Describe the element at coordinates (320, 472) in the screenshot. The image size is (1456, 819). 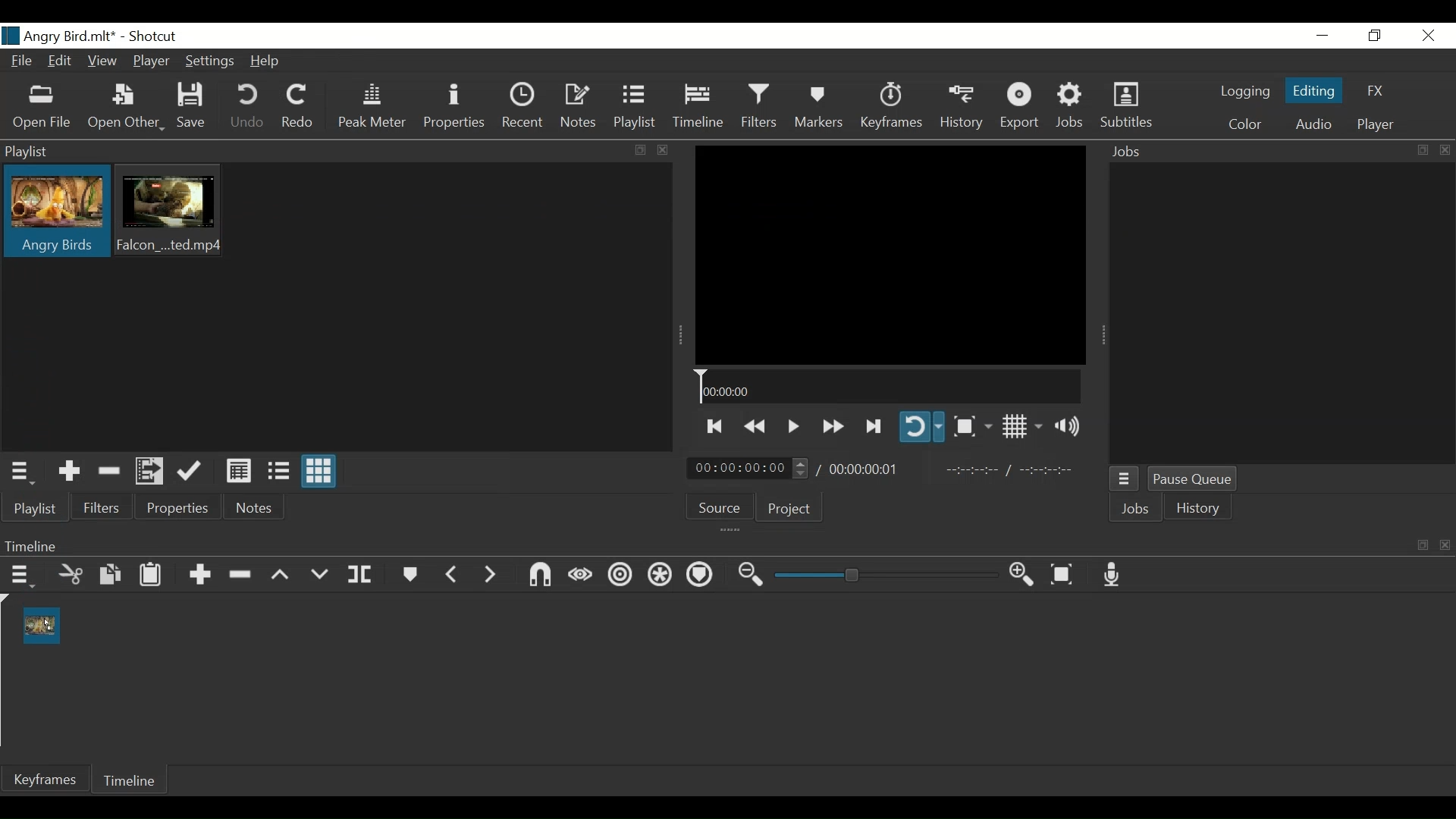
I see `View as icons` at that location.